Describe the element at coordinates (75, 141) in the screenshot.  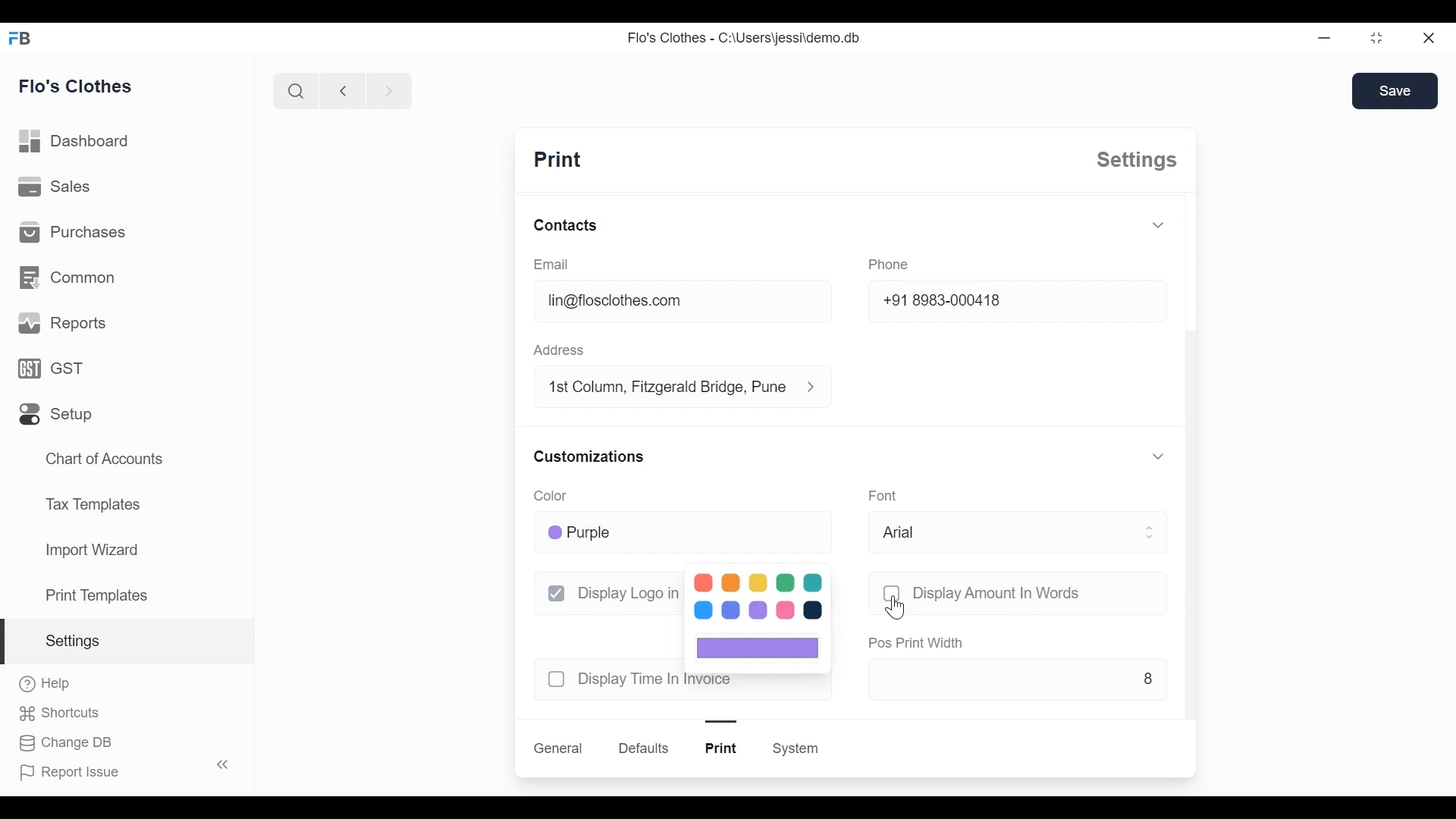
I see `dashboard` at that location.